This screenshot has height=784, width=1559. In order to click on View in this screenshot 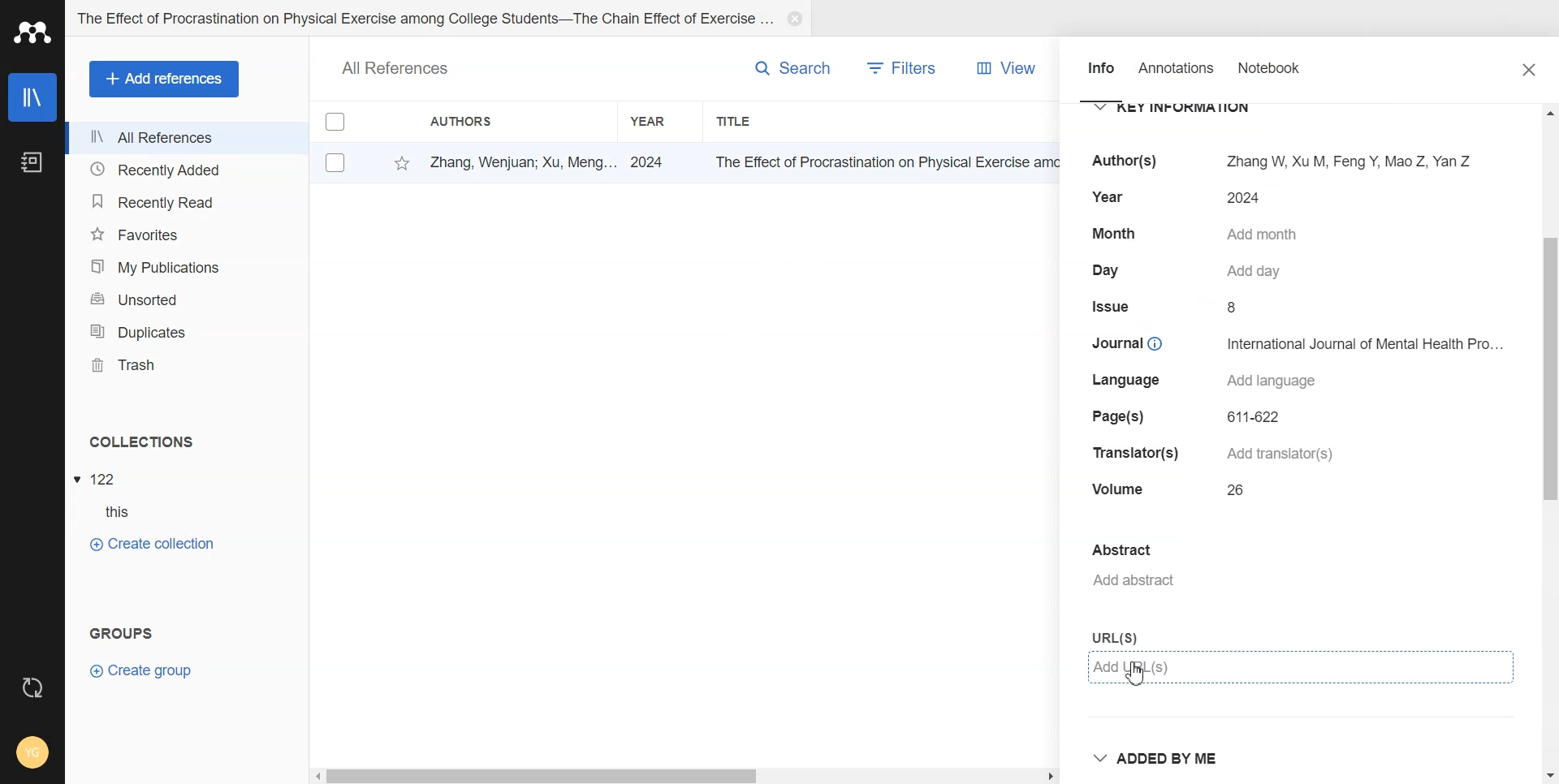, I will do `click(1003, 67)`.